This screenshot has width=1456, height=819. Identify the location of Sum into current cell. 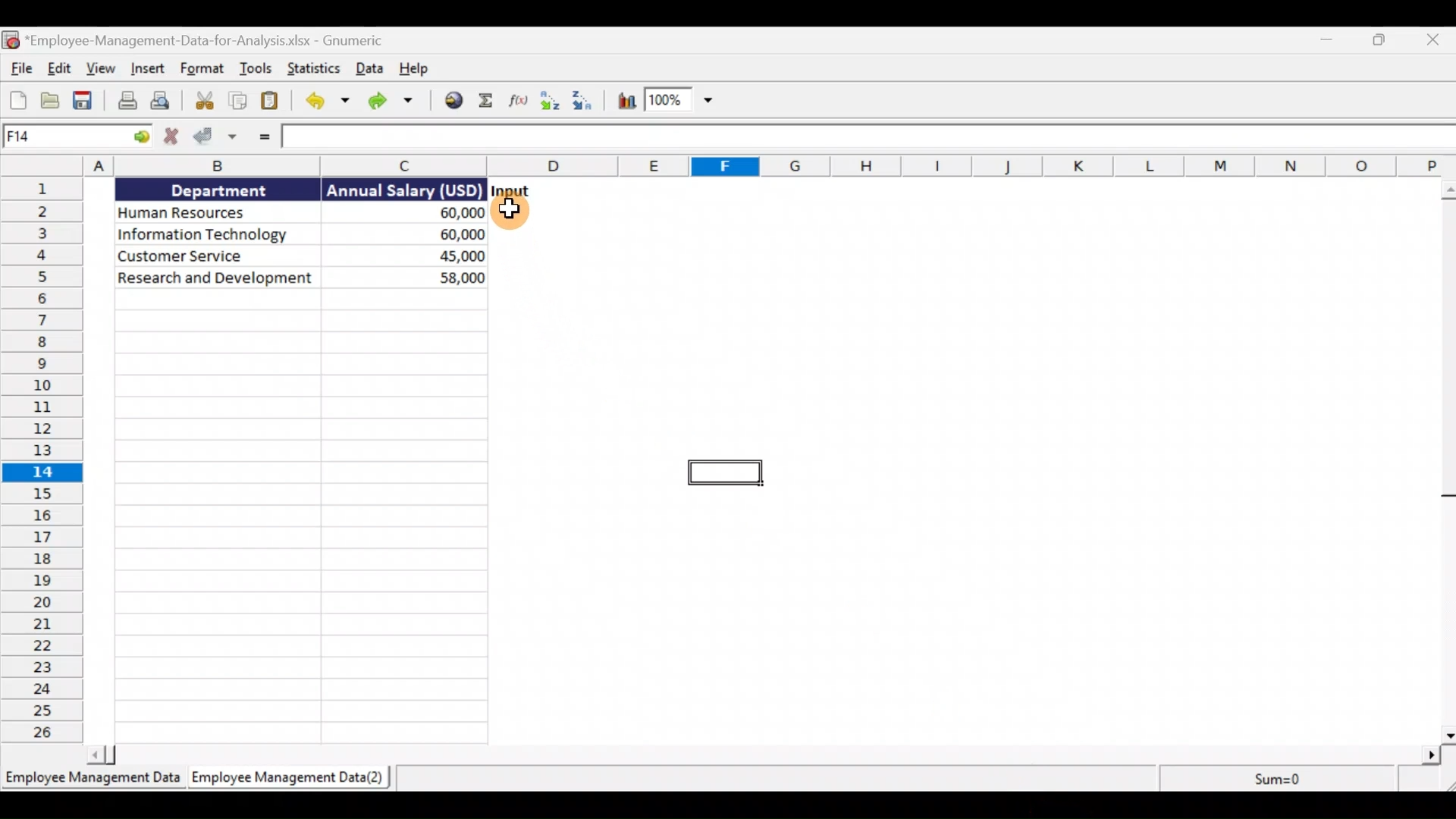
(486, 102).